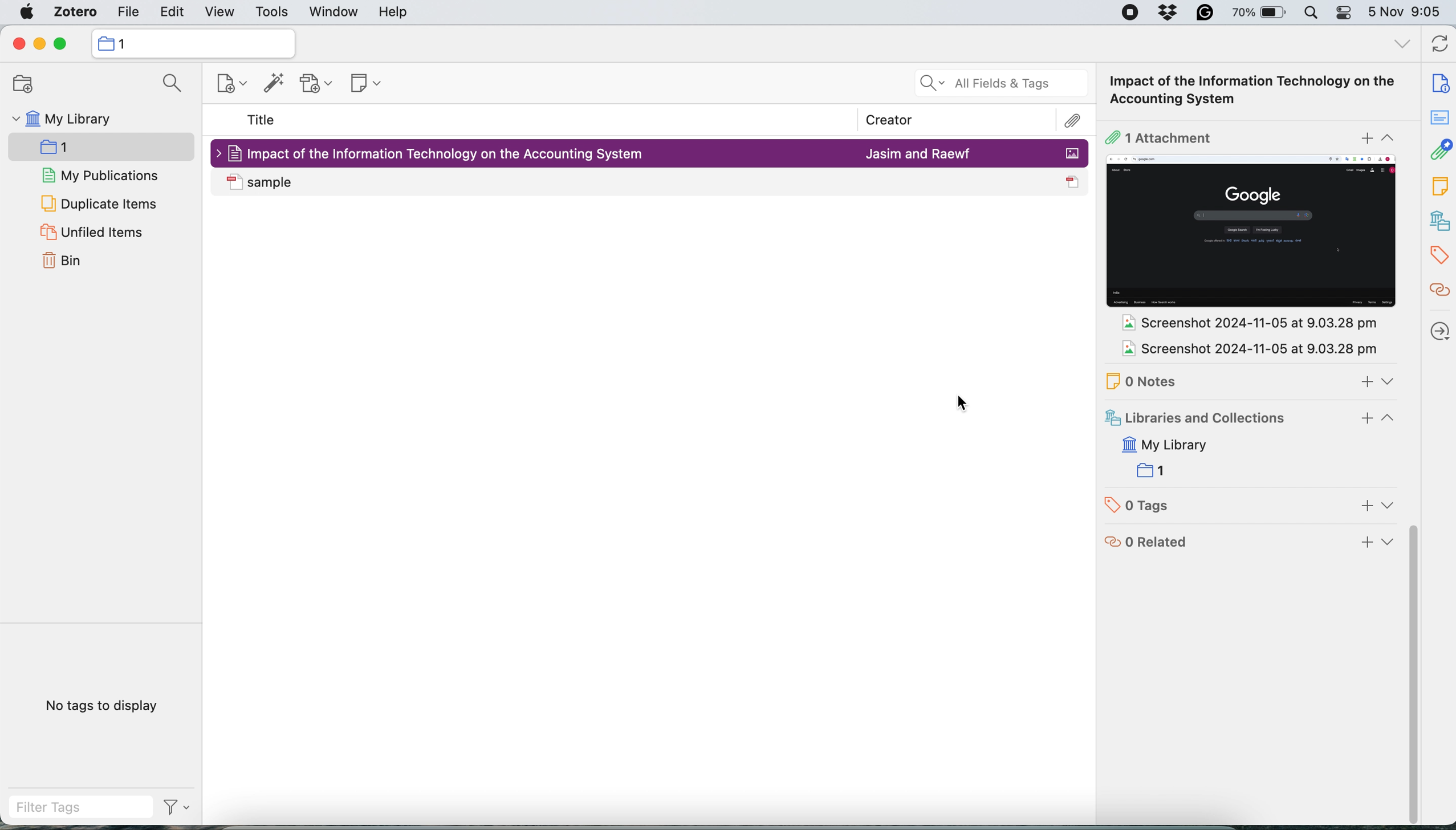  I want to click on locate, so click(1439, 336).